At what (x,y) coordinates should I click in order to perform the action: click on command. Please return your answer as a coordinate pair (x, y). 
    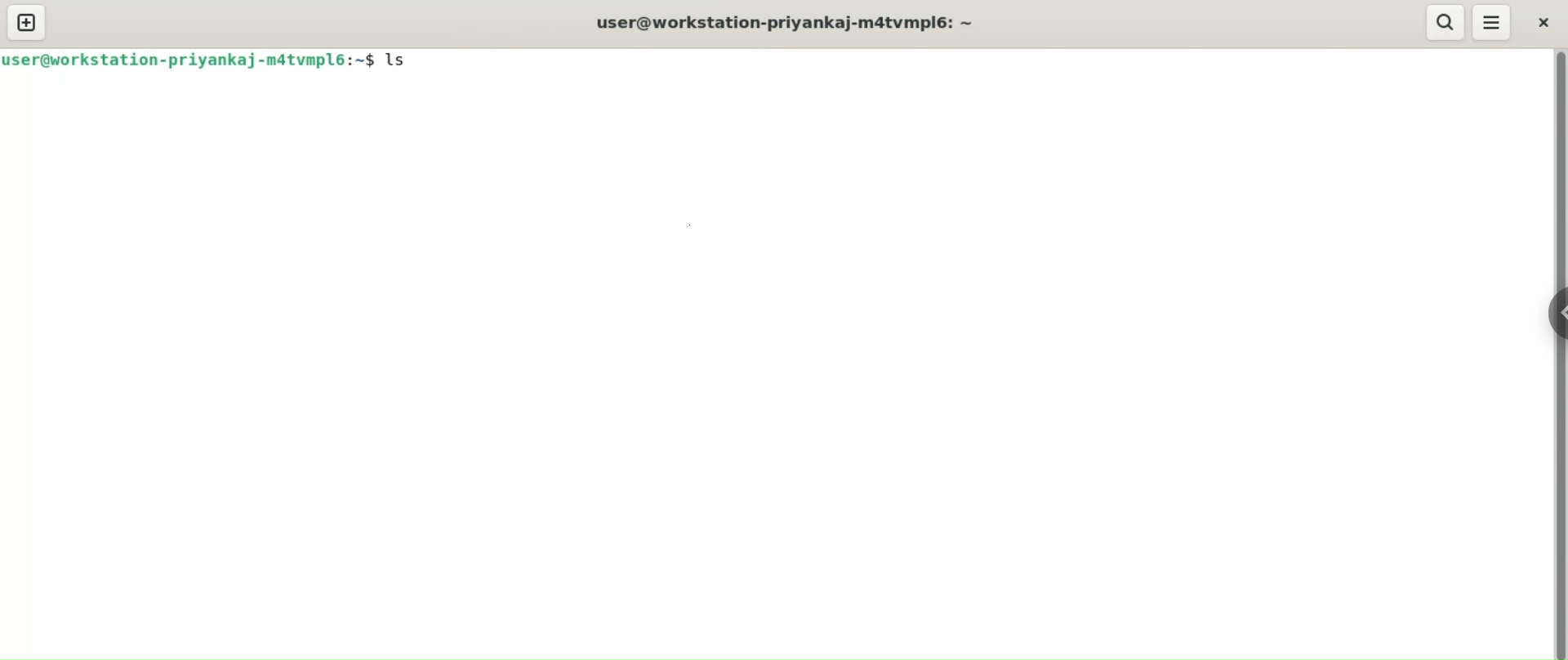
    Looking at the image, I should click on (403, 59).